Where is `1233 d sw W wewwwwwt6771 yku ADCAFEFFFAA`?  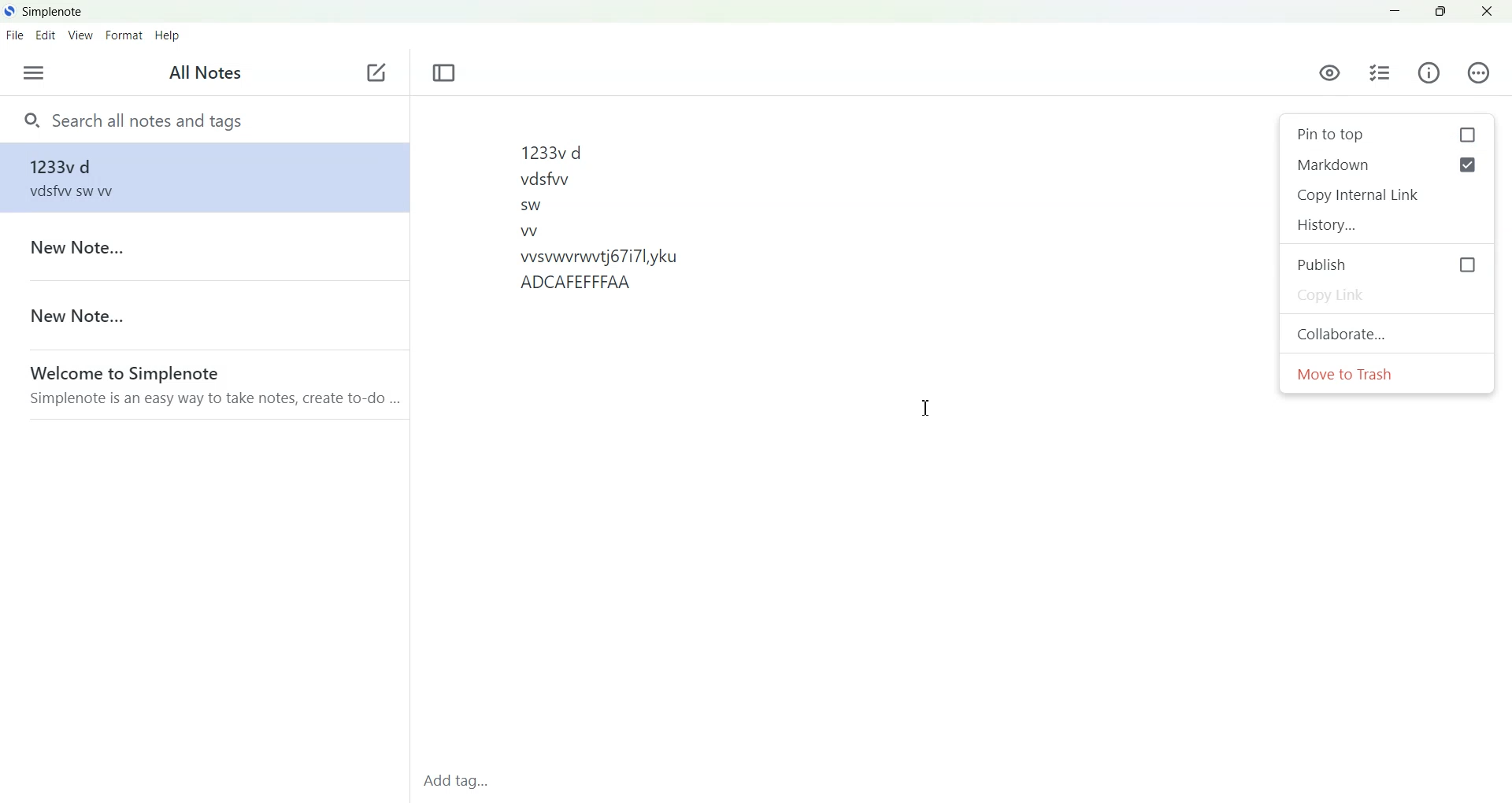
1233 d sw W wewwwwwt6771 yku ADCAFEFFFAA is located at coordinates (842, 436).